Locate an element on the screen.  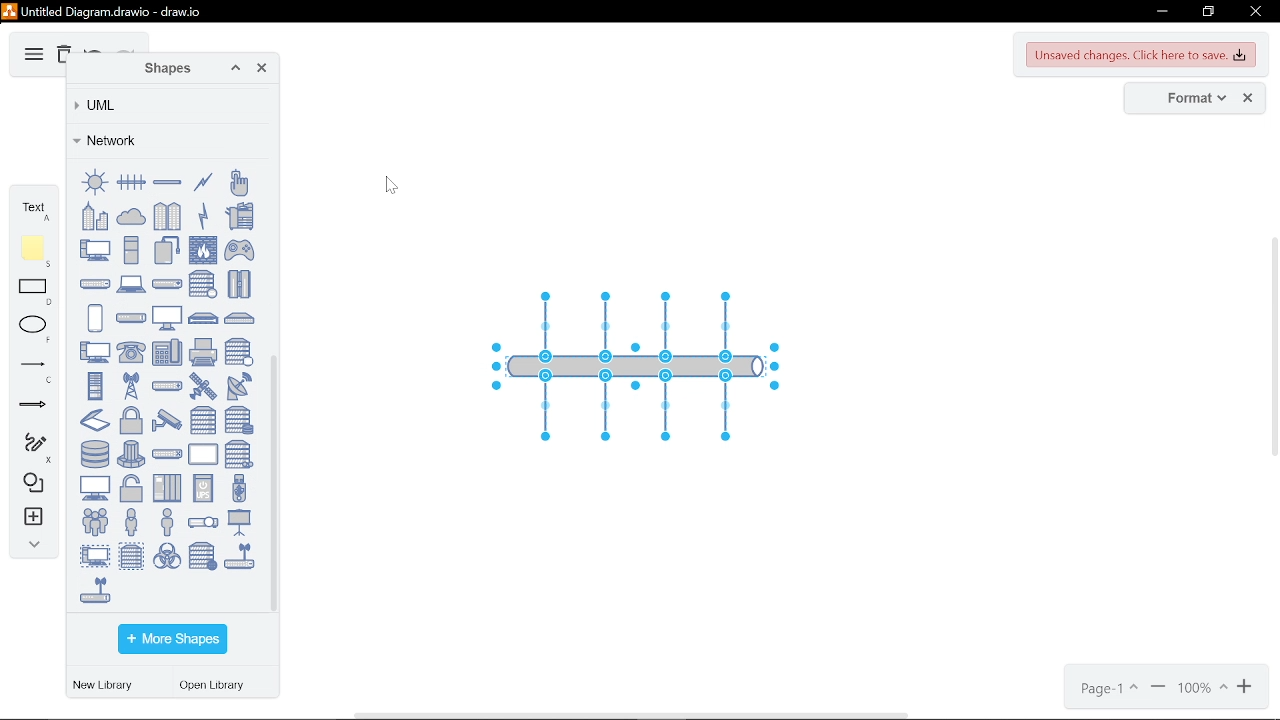
network diagram added is located at coordinates (648, 364).